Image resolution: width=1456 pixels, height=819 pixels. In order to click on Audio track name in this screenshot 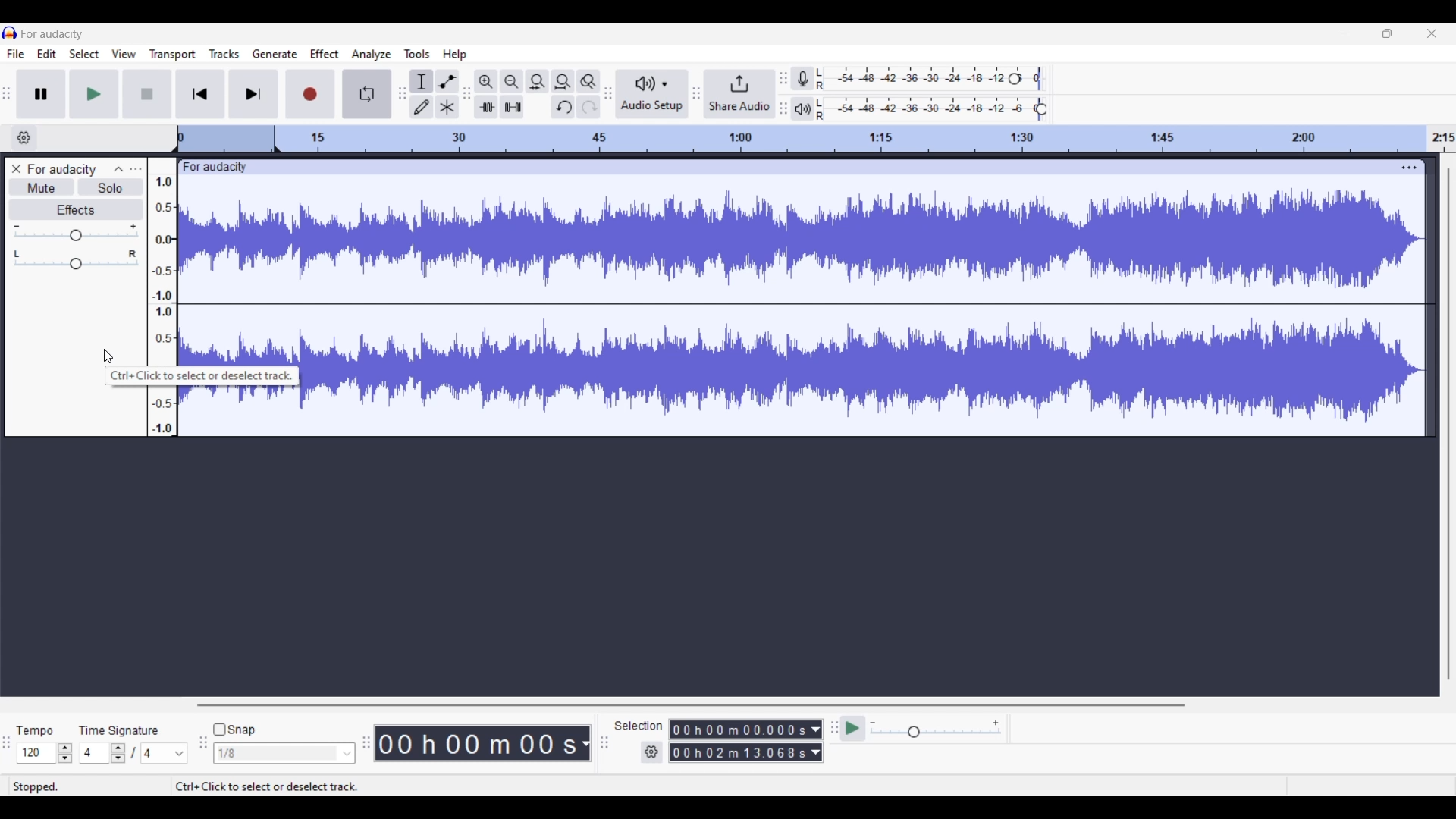, I will do `click(62, 170)`.